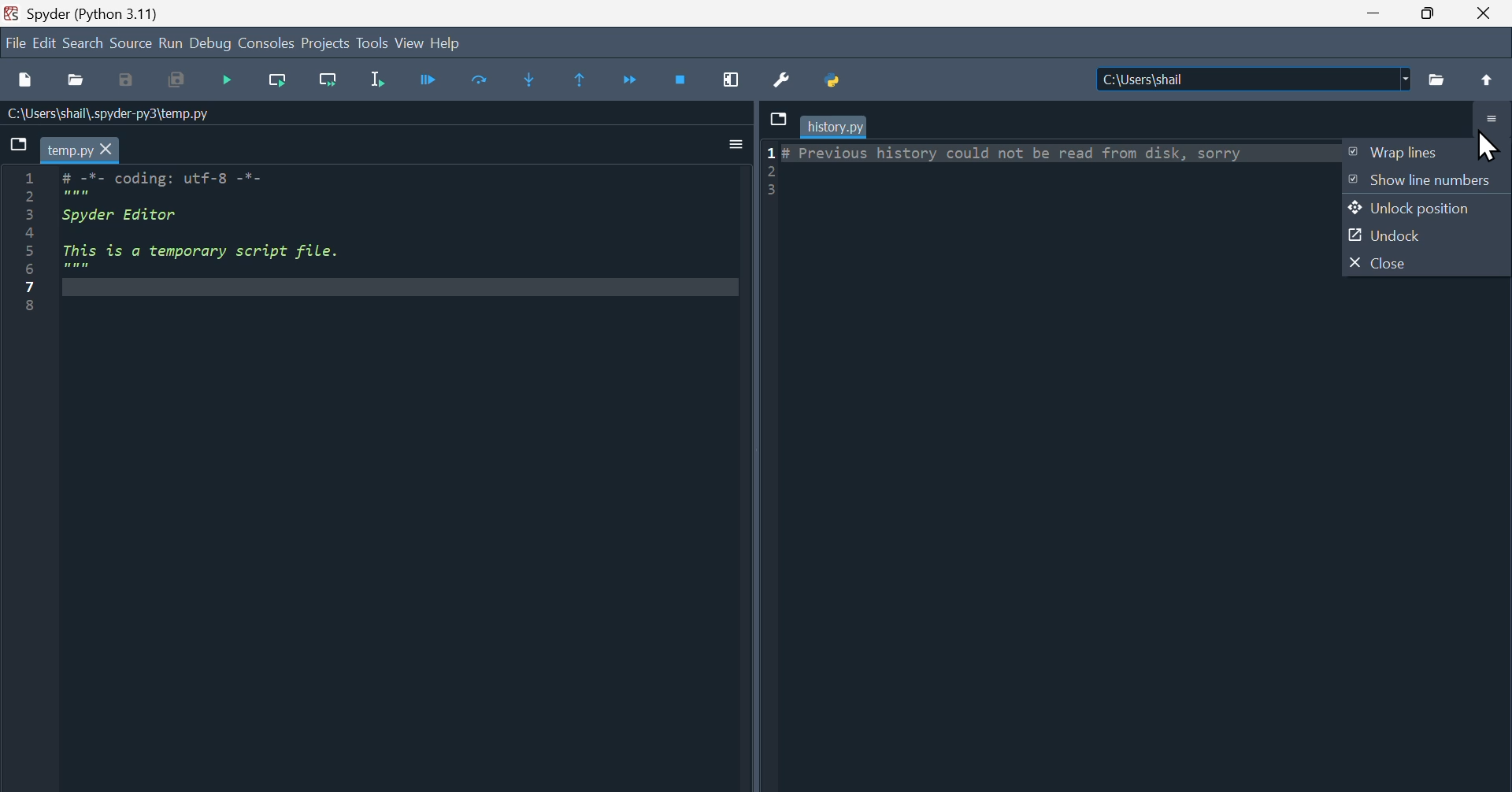  I want to click on Show line numbers, so click(1420, 180).